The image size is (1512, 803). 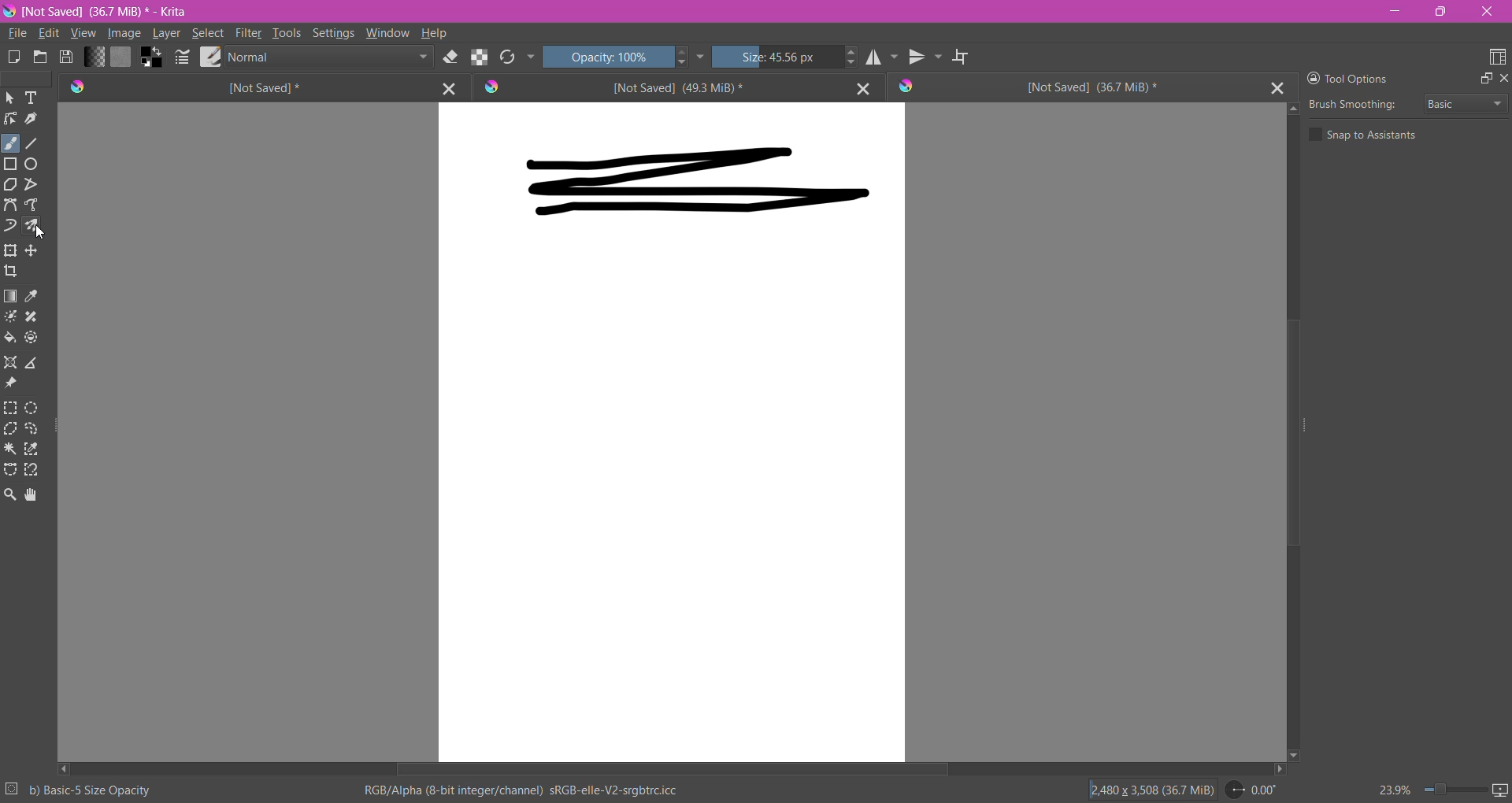 I want to click on Vertical Mirror Tool, so click(x=926, y=57).